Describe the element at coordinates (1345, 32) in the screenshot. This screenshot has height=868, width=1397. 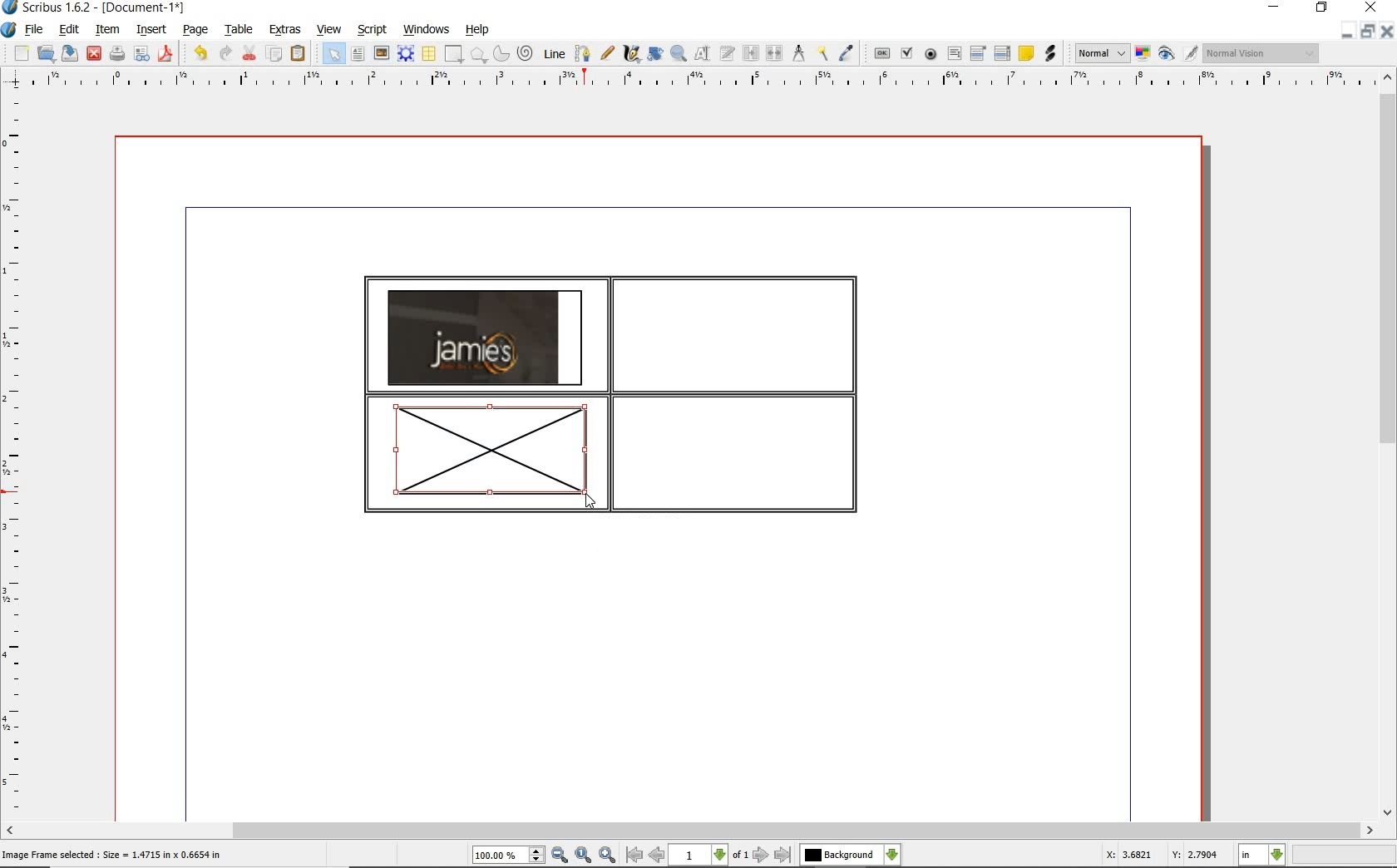
I see `minimize` at that location.